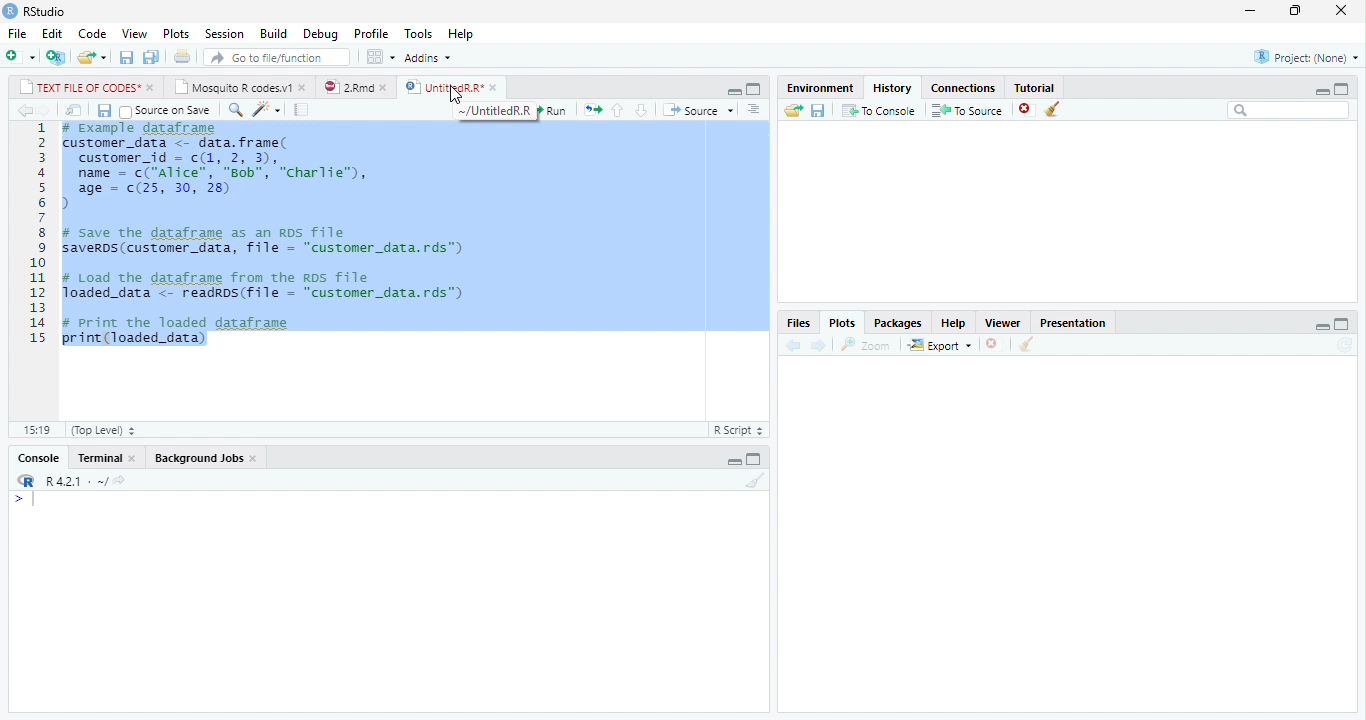 Image resolution: width=1366 pixels, height=720 pixels. Describe the element at coordinates (151, 88) in the screenshot. I see `close` at that location.